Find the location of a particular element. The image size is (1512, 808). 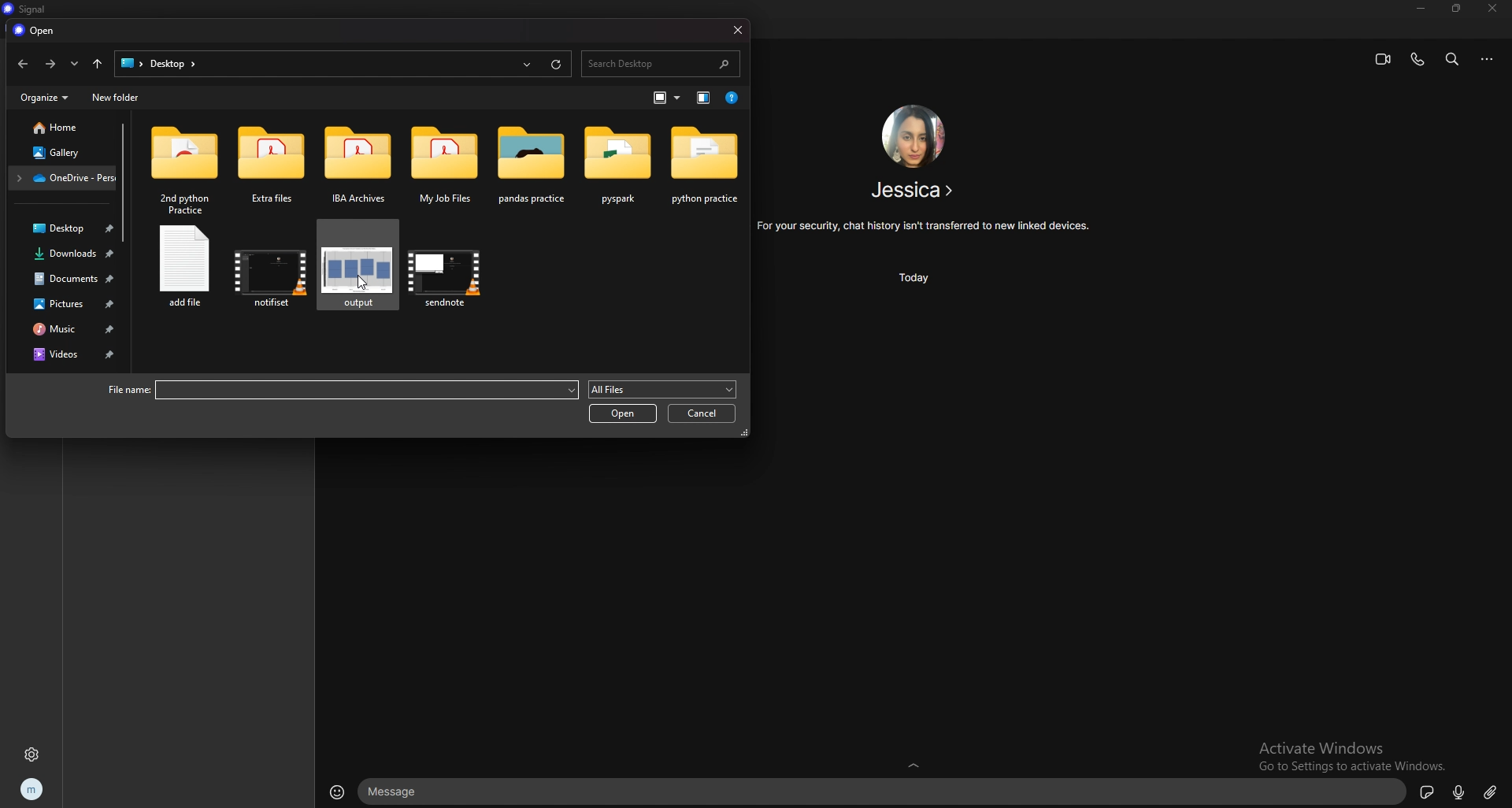

folder is located at coordinates (270, 160).